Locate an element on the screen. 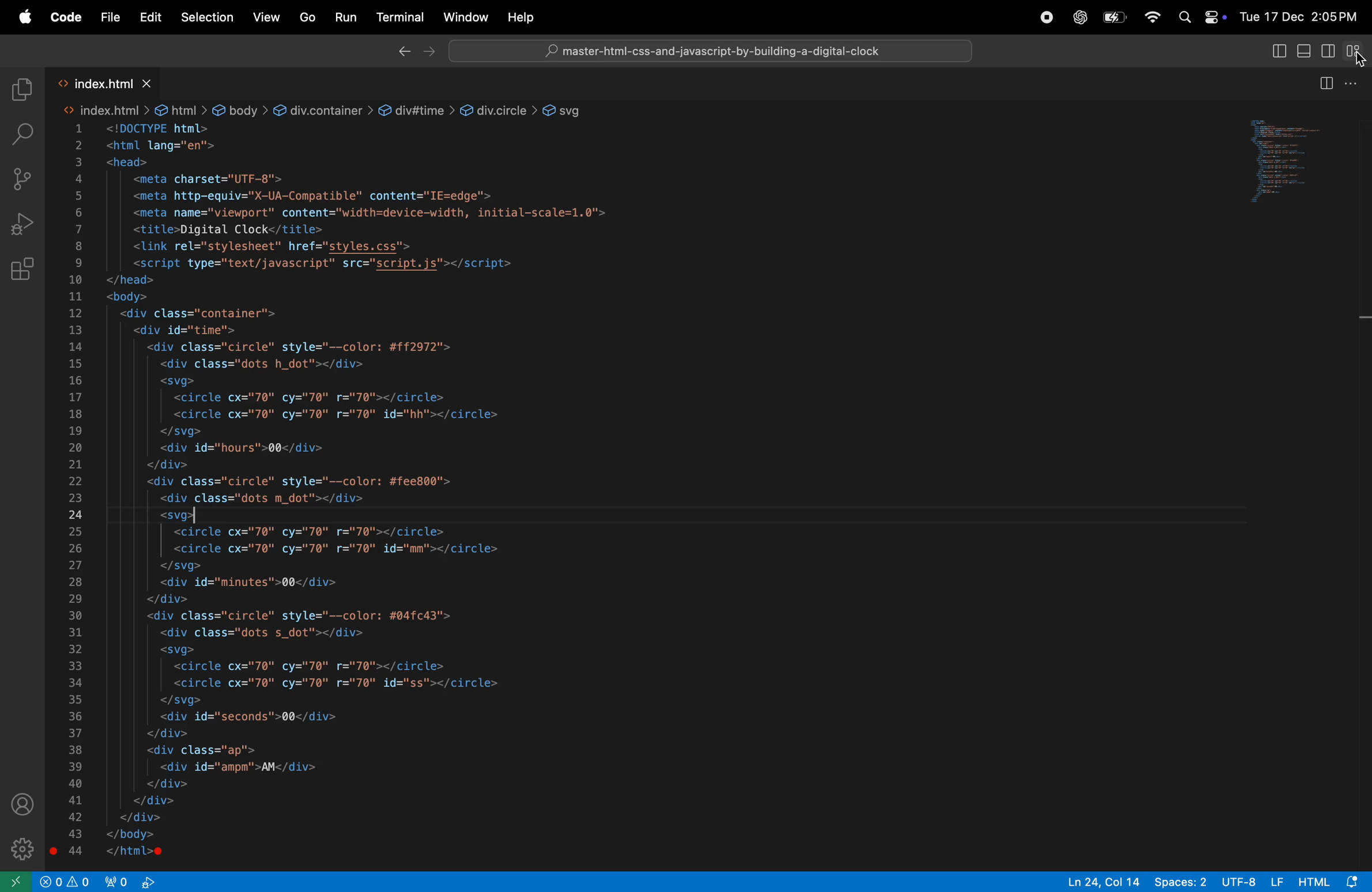 This screenshot has width=1372, height=892. run and debug is located at coordinates (21, 222).